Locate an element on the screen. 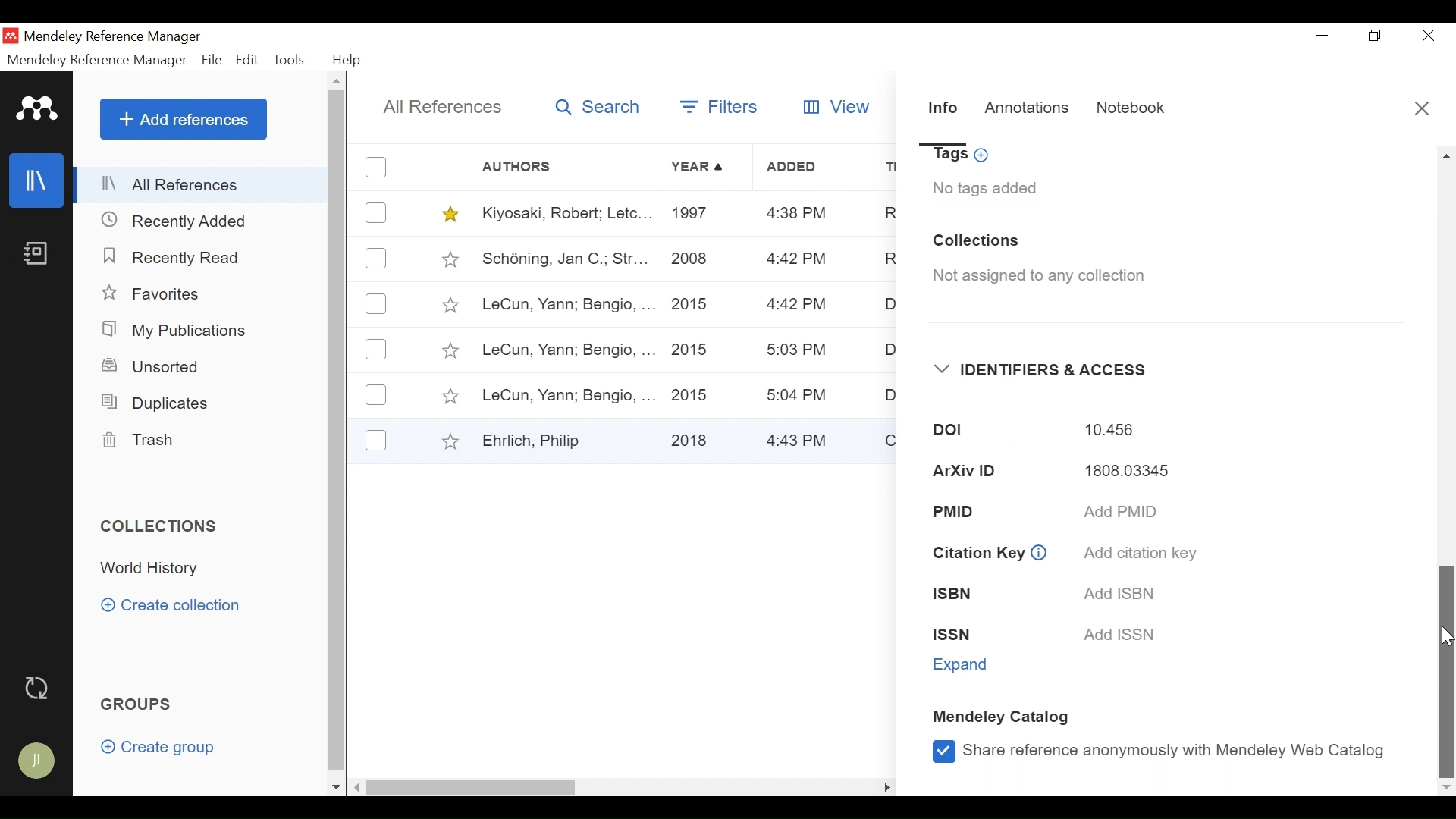 The height and width of the screenshot is (819, 1456). (un)select favorite is located at coordinates (447, 441).